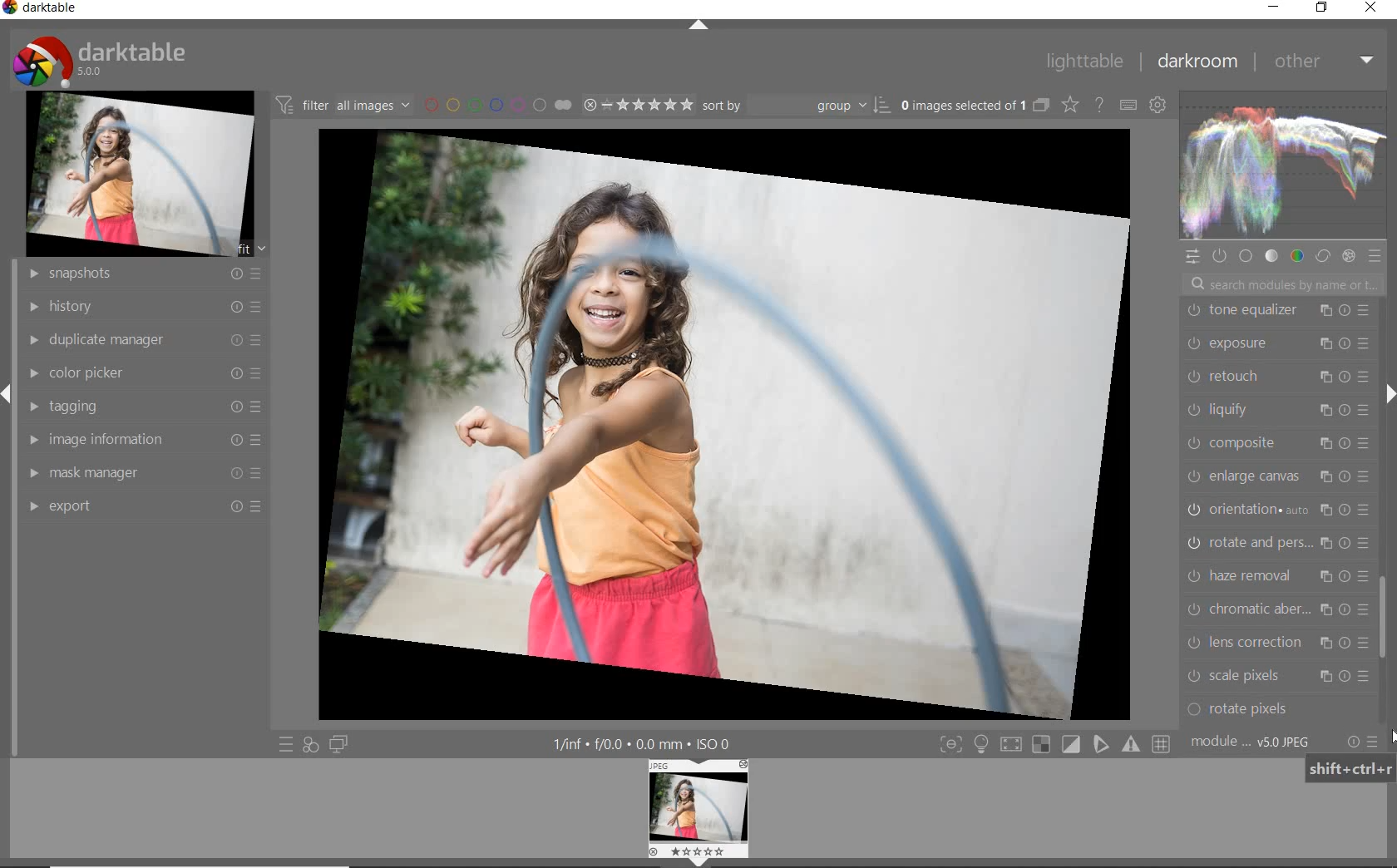 The height and width of the screenshot is (868, 1397). Describe the element at coordinates (1324, 7) in the screenshot. I see `restore` at that location.